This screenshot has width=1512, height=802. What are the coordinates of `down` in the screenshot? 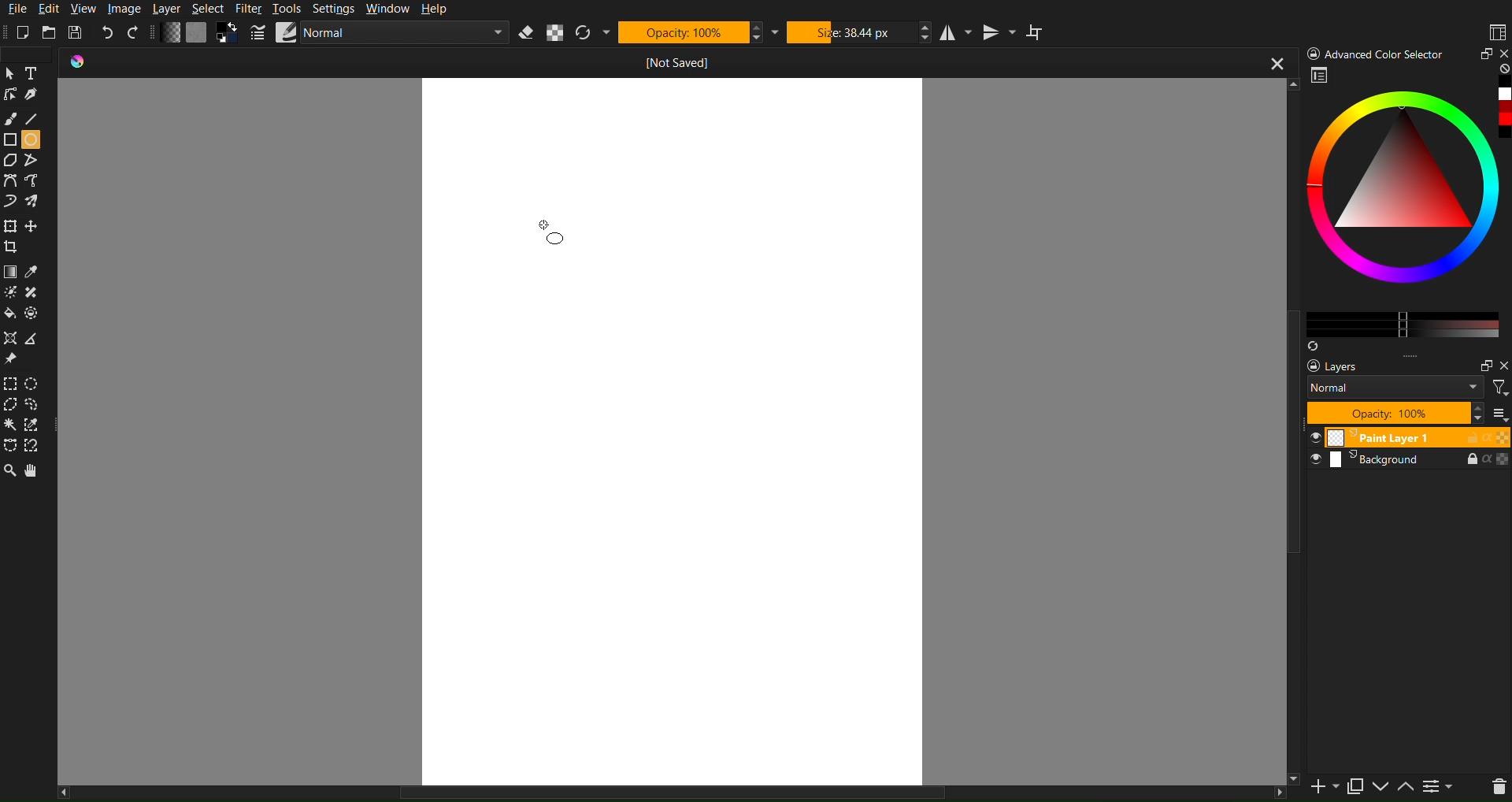 It's located at (1379, 789).